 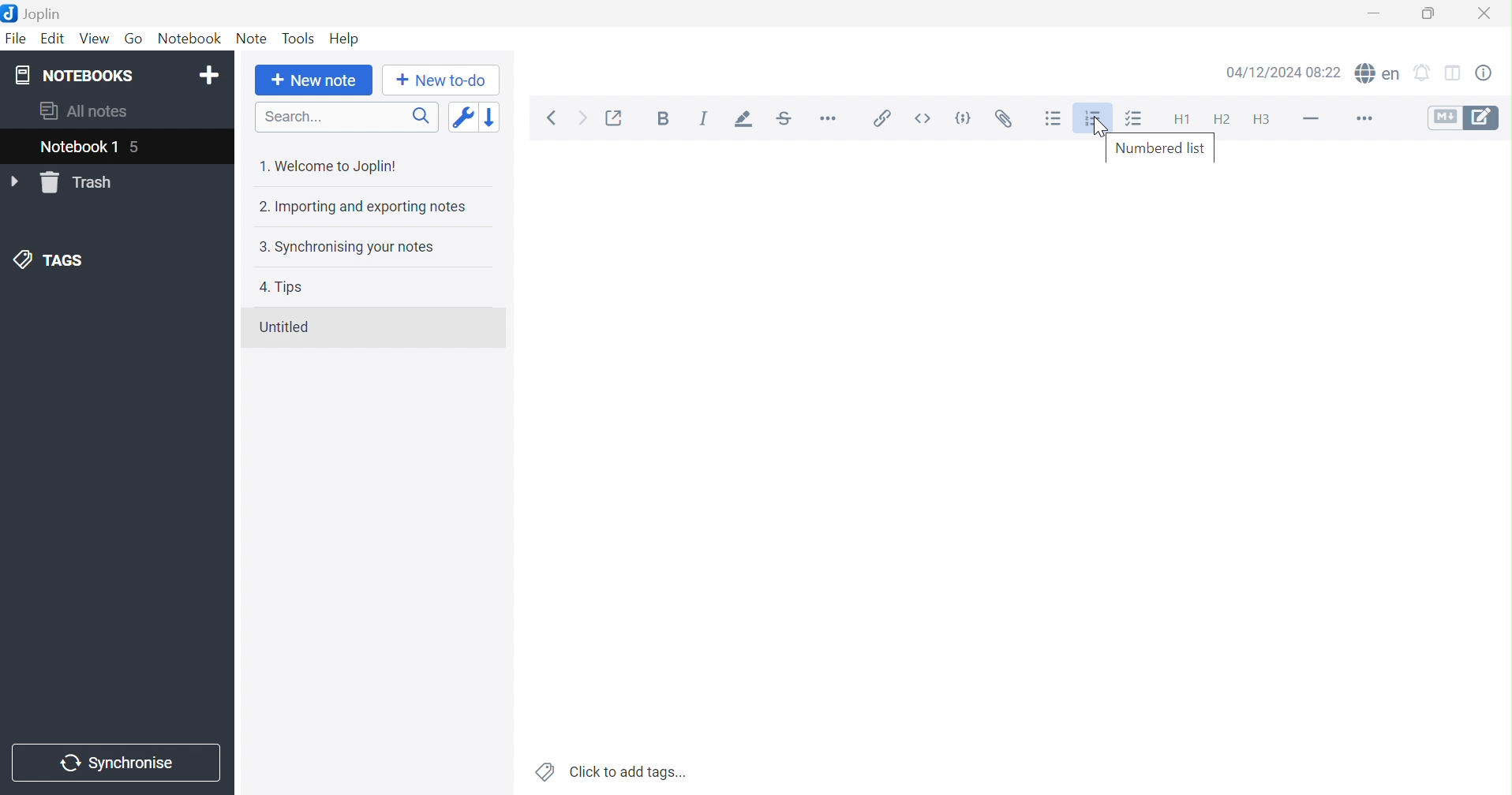 What do you see at coordinates (1267, 120) in the screenshot?
I see `Heading 3` at bounding box center [1267, 120].